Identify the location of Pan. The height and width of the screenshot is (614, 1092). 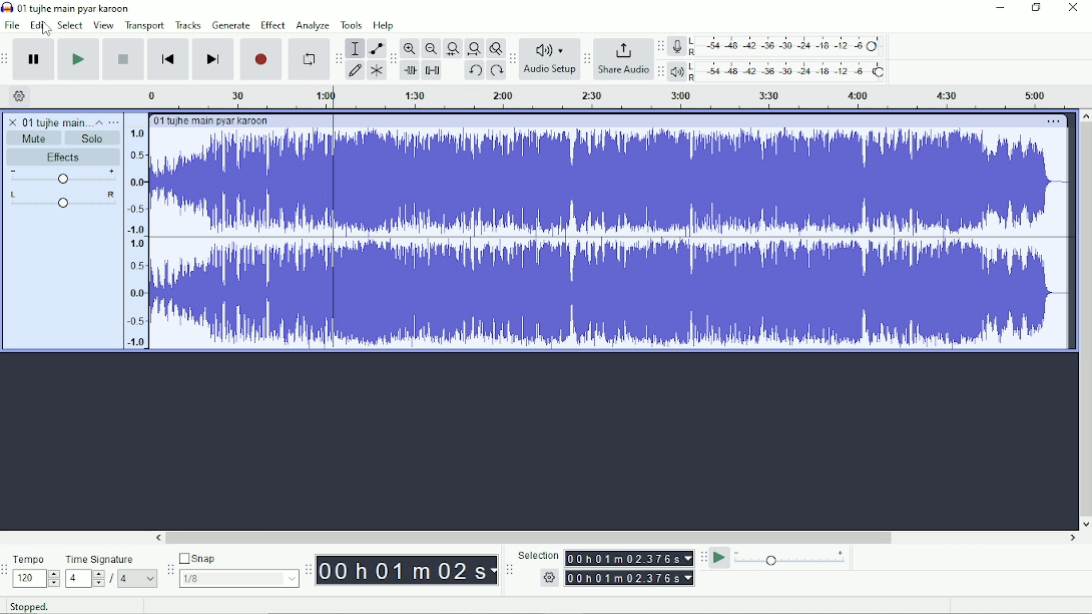
(61, 199).